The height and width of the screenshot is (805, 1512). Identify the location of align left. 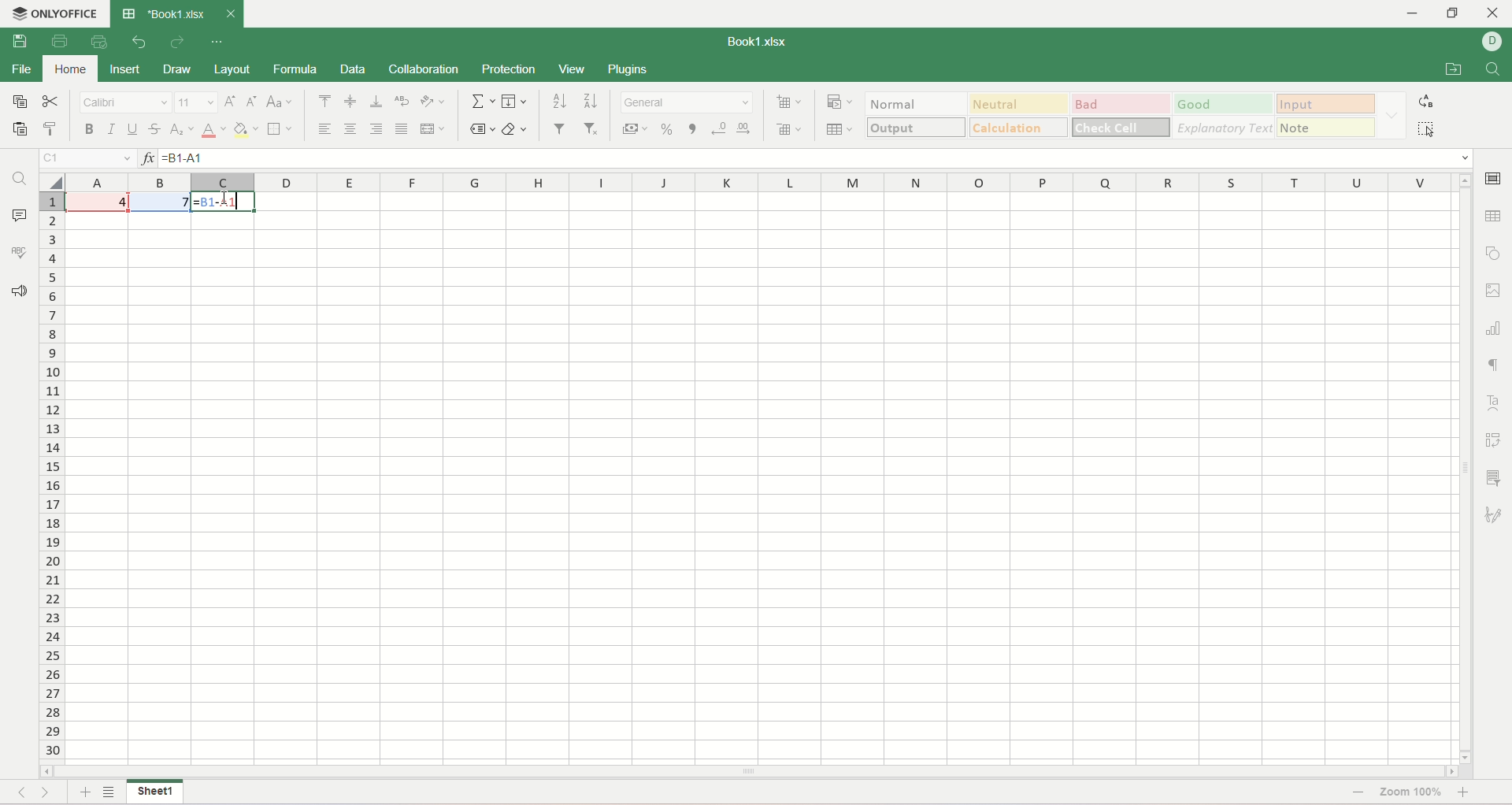
(328, 128).